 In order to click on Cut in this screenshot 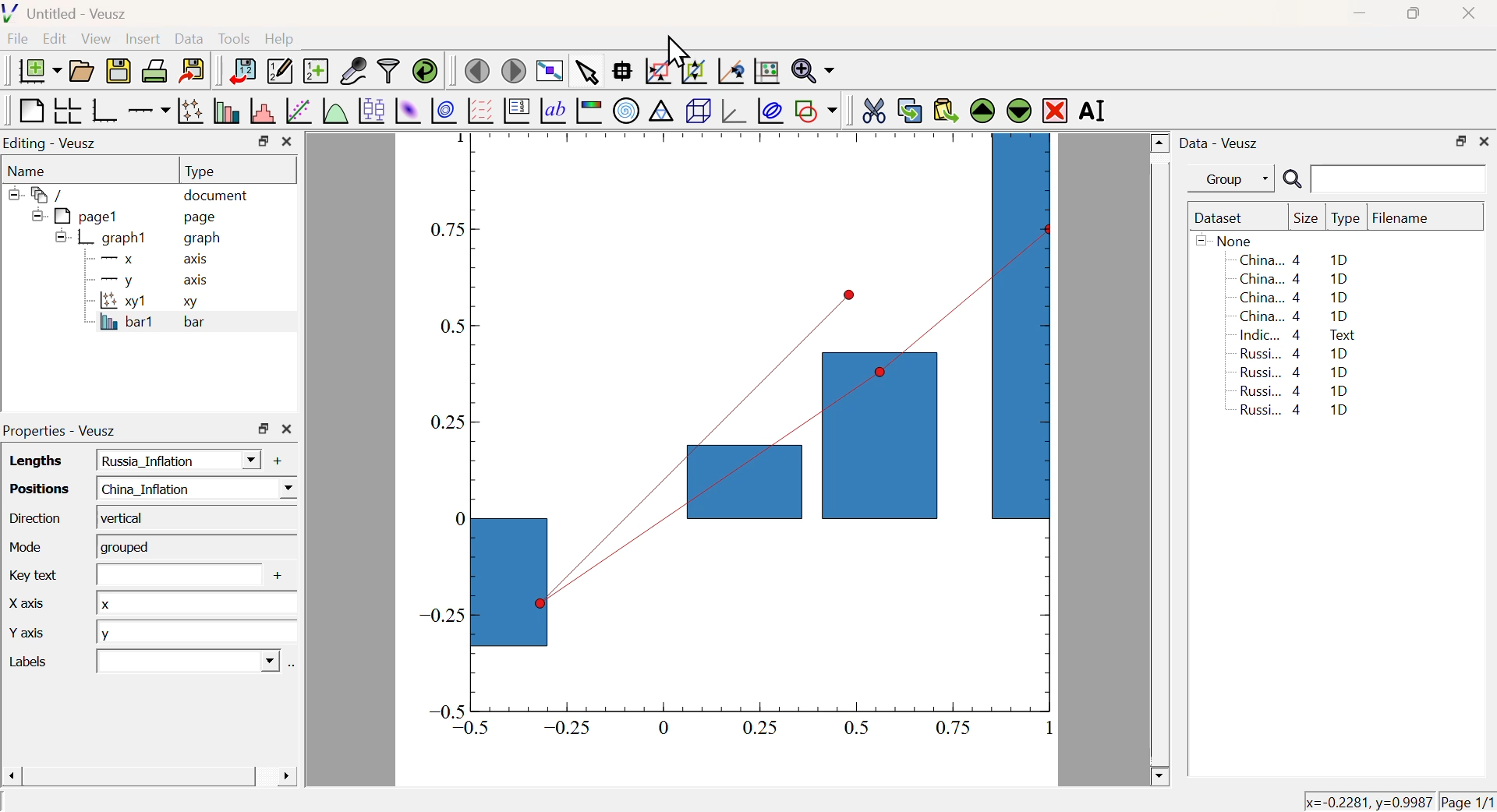, I will do `click(873, 109)`.